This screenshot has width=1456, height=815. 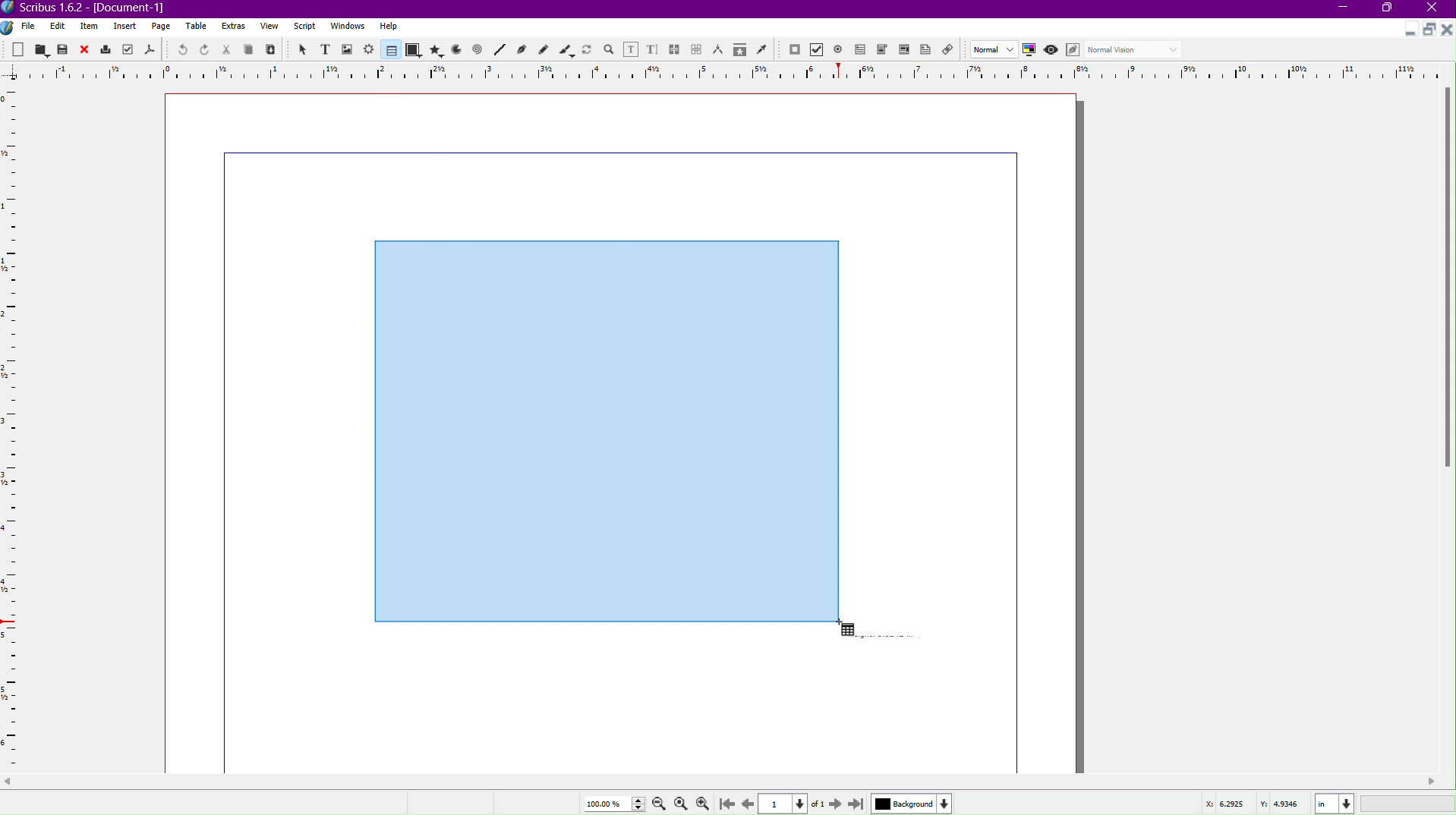 What do you see at coordinates (522, 50) in the screenshot?
I see `Bezier Curve` at bounding box center [522, 50].